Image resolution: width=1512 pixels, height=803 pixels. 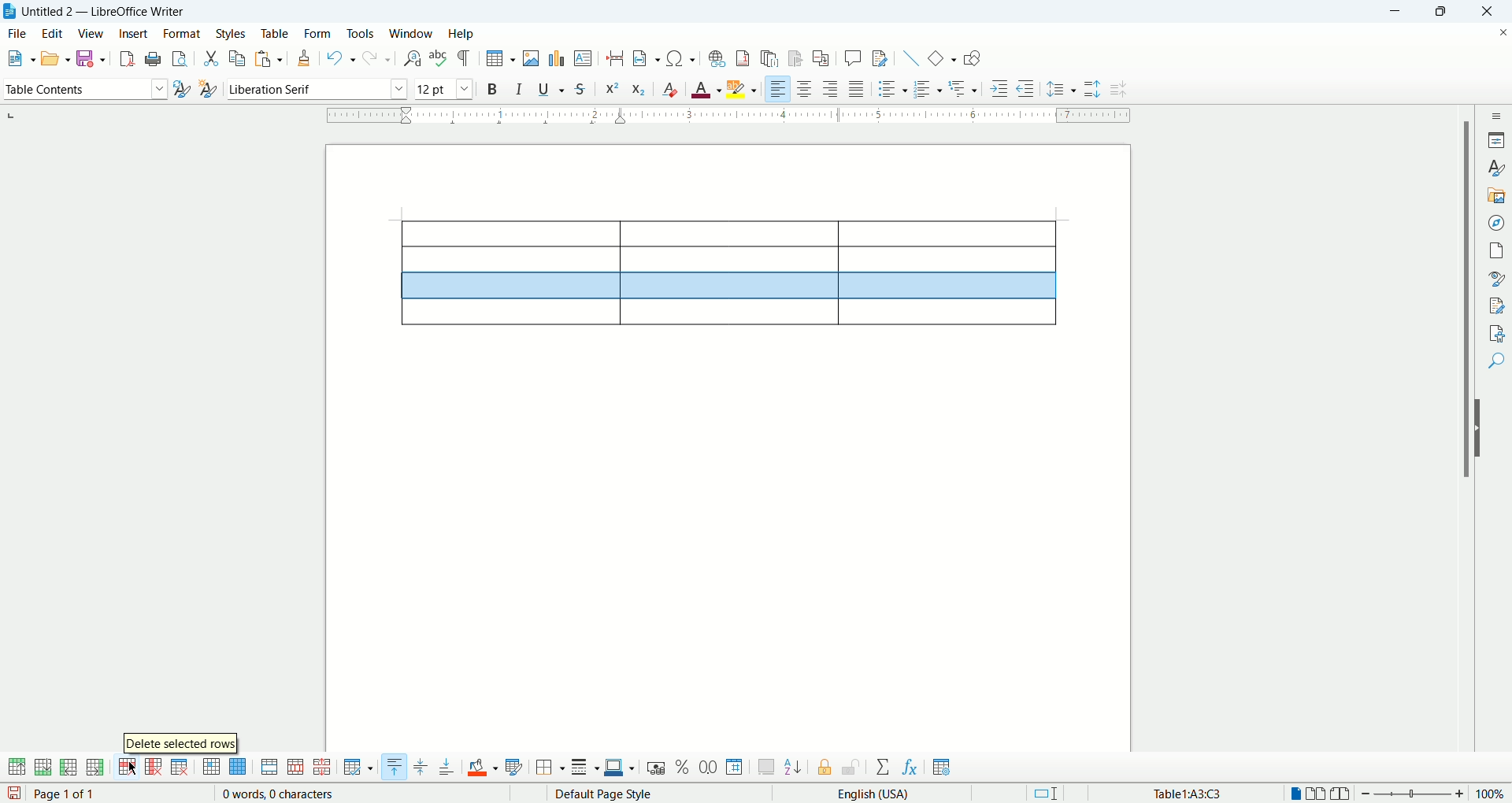 I want to click on align top, so click(x=395, y=767).